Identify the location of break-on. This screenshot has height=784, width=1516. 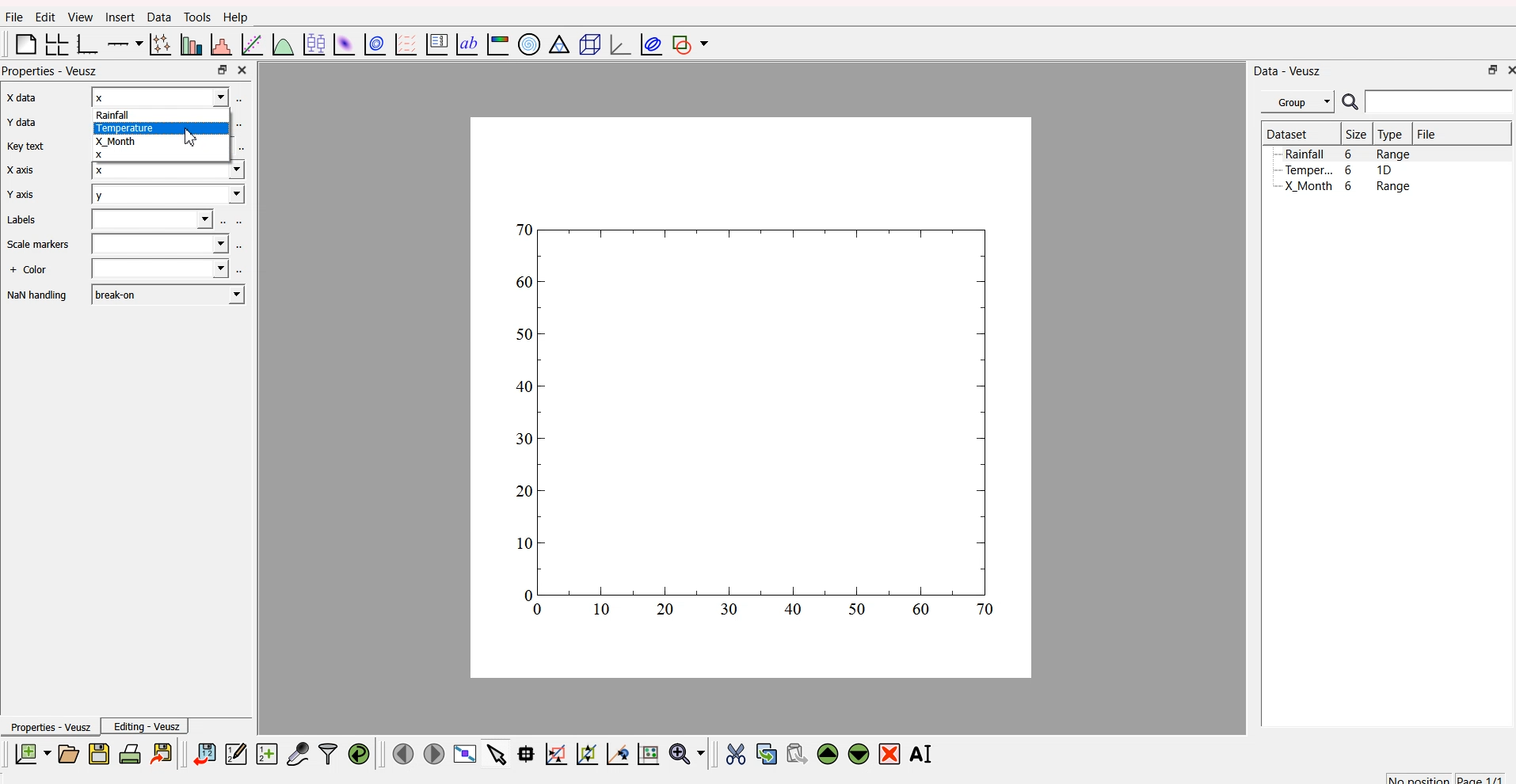
(168, 293).